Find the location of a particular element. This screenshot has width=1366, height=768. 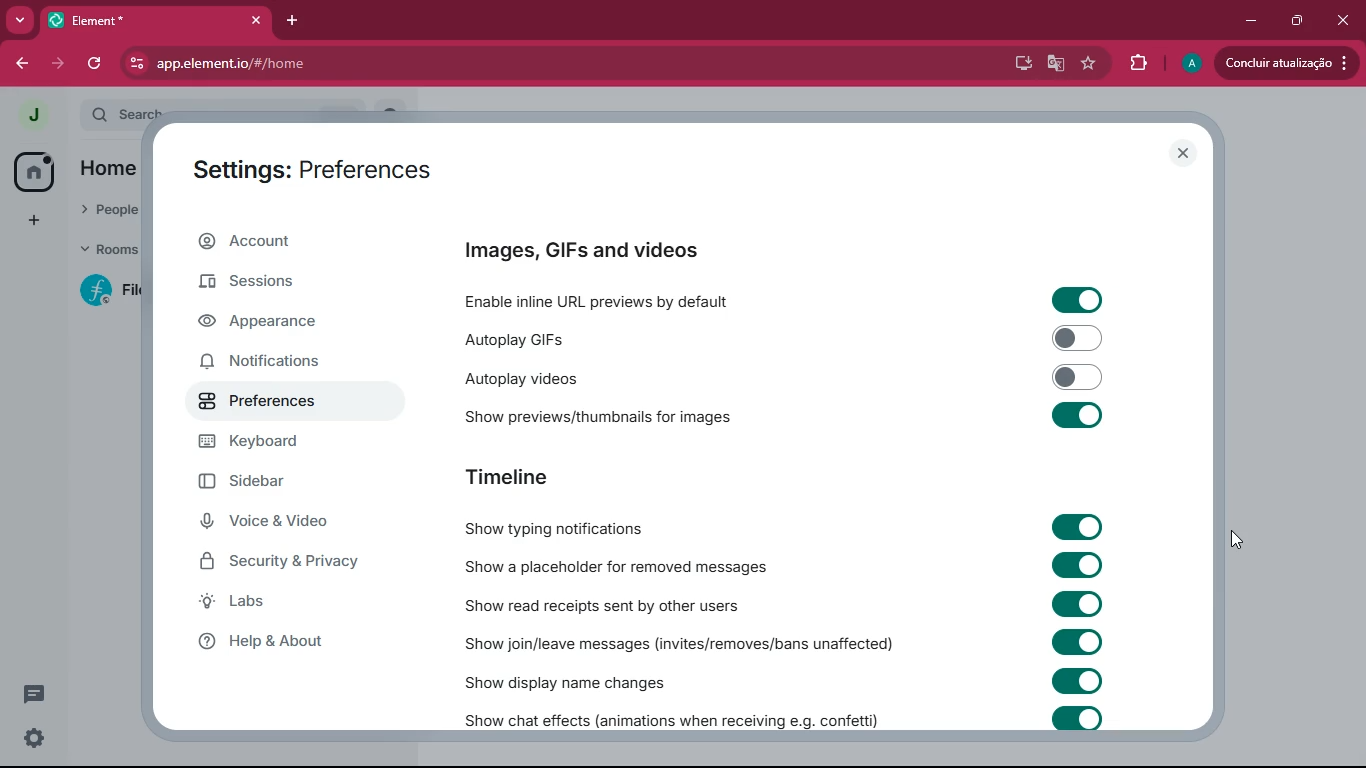

show chat effects (animations when receiving e.g. confetti) is located at coordinates (669, 718).